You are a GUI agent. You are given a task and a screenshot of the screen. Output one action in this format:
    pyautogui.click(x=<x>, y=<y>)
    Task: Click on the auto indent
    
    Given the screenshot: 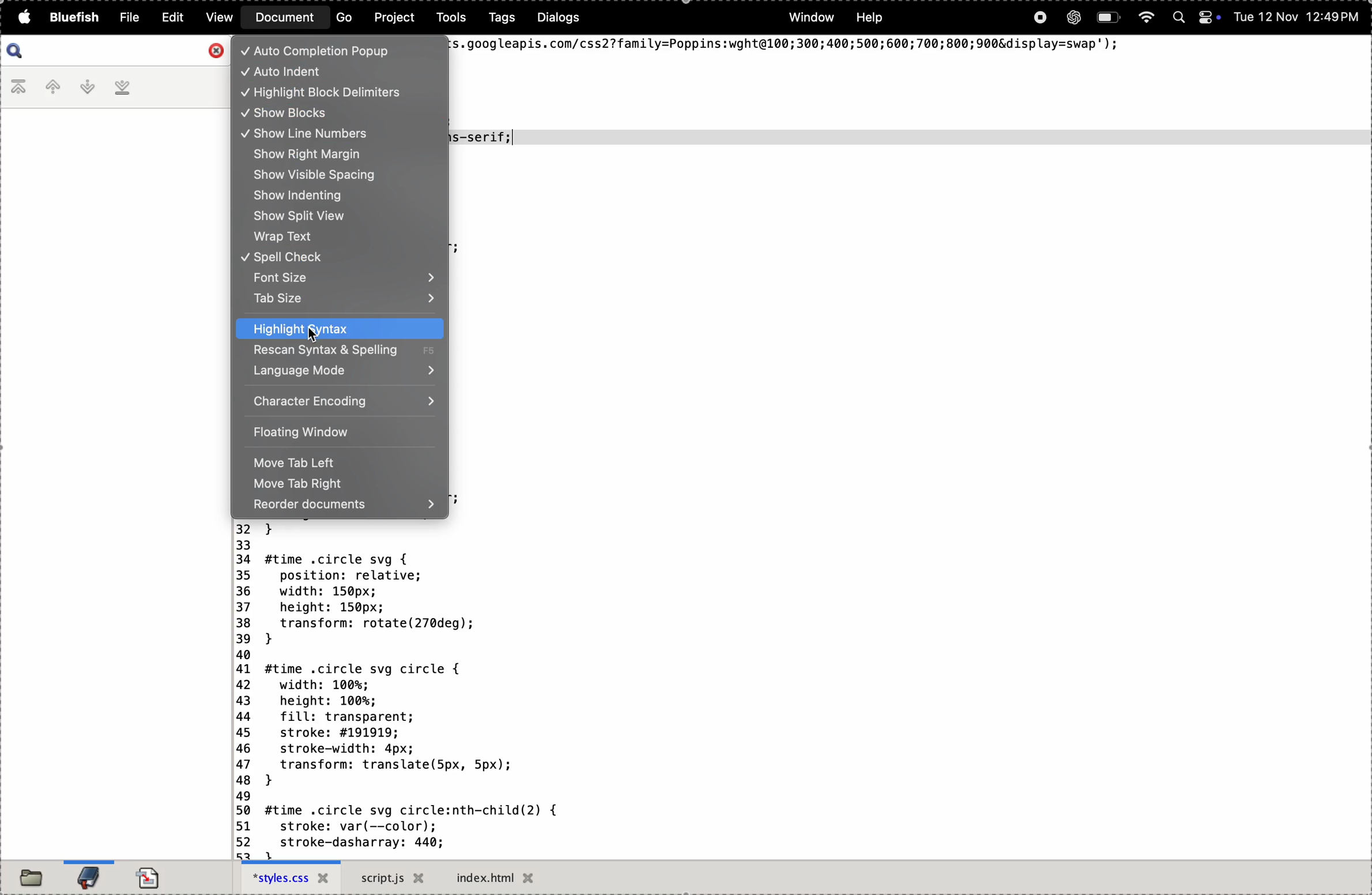 What is the action you would take?
    pyautogui.click(x=341, y=72)
    